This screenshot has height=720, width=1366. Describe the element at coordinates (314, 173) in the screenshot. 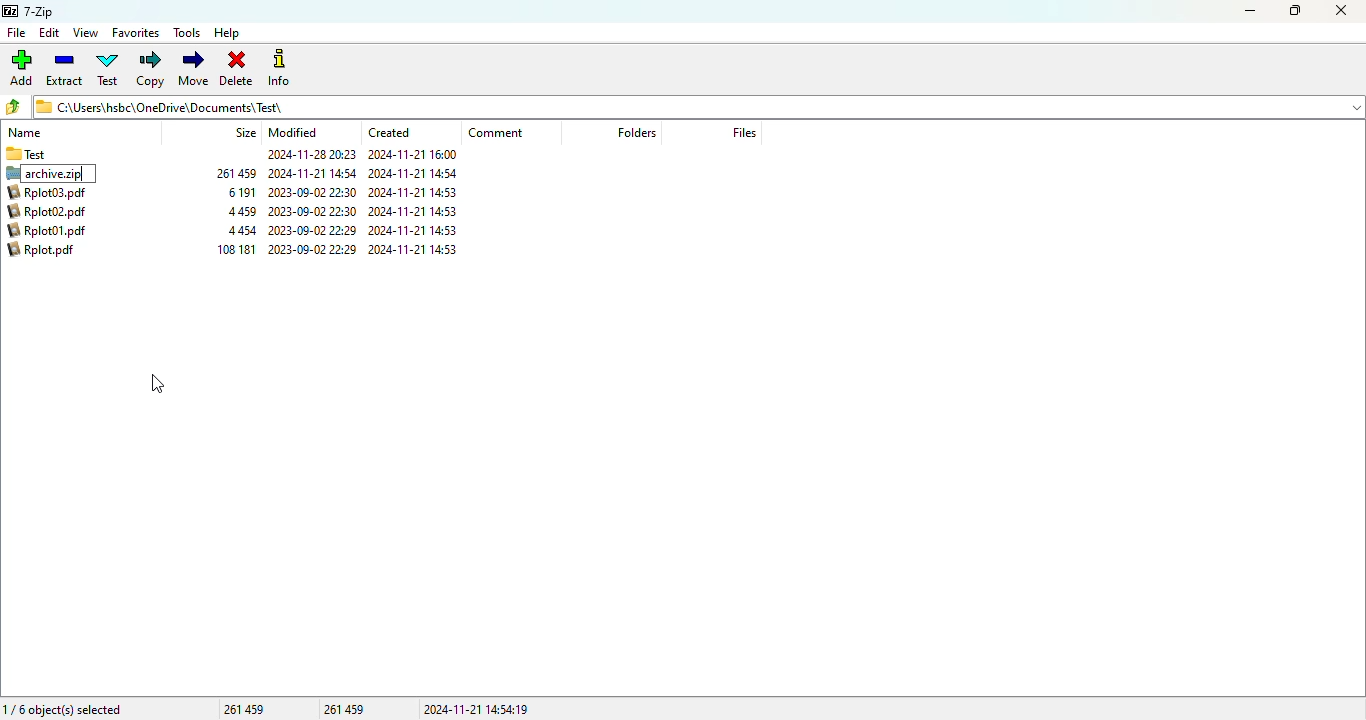

I see `2024-11-21 14:54` at that location.